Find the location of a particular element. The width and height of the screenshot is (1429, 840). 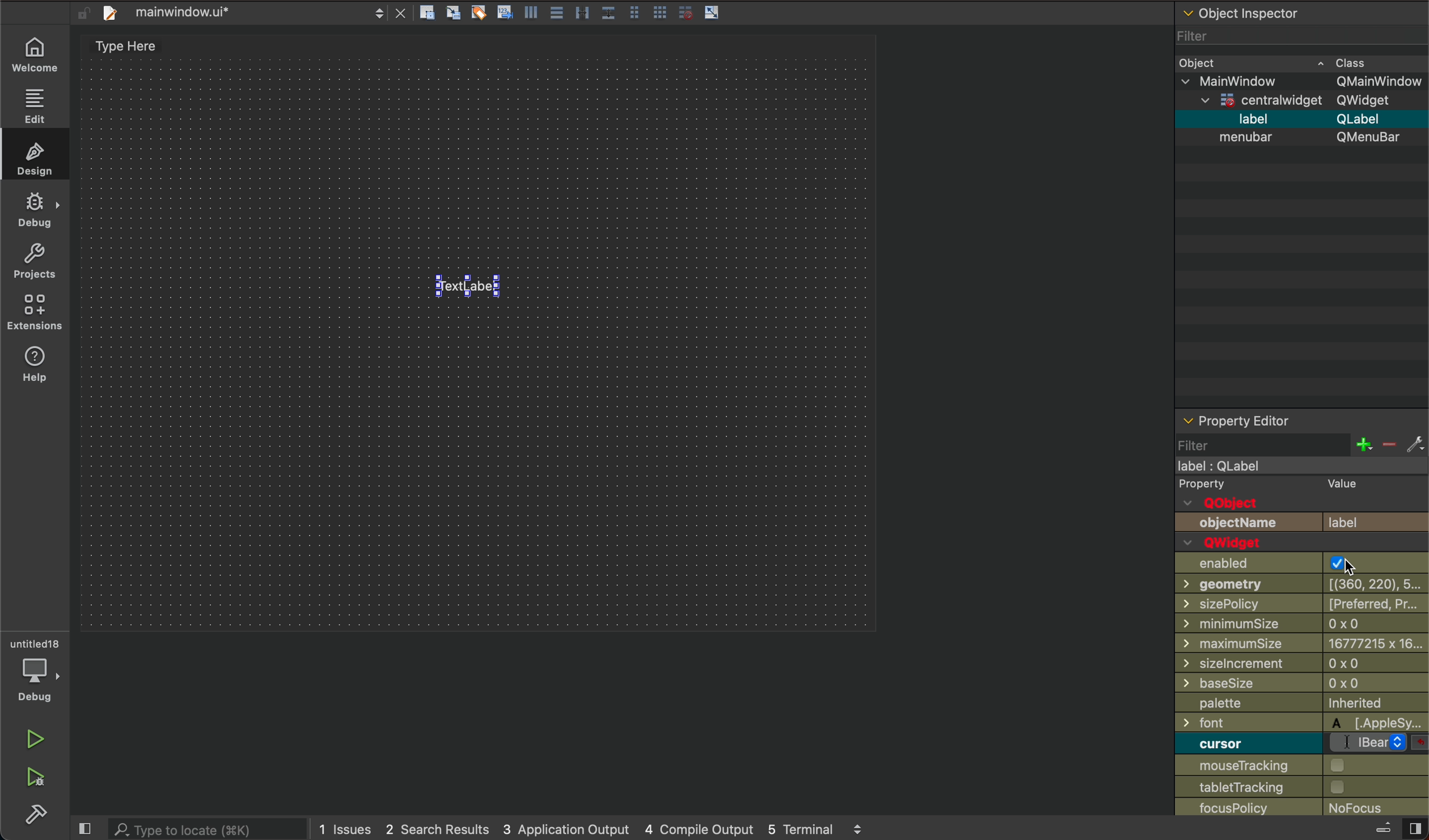

Qmenubar is located at coordinates (1368, 140).